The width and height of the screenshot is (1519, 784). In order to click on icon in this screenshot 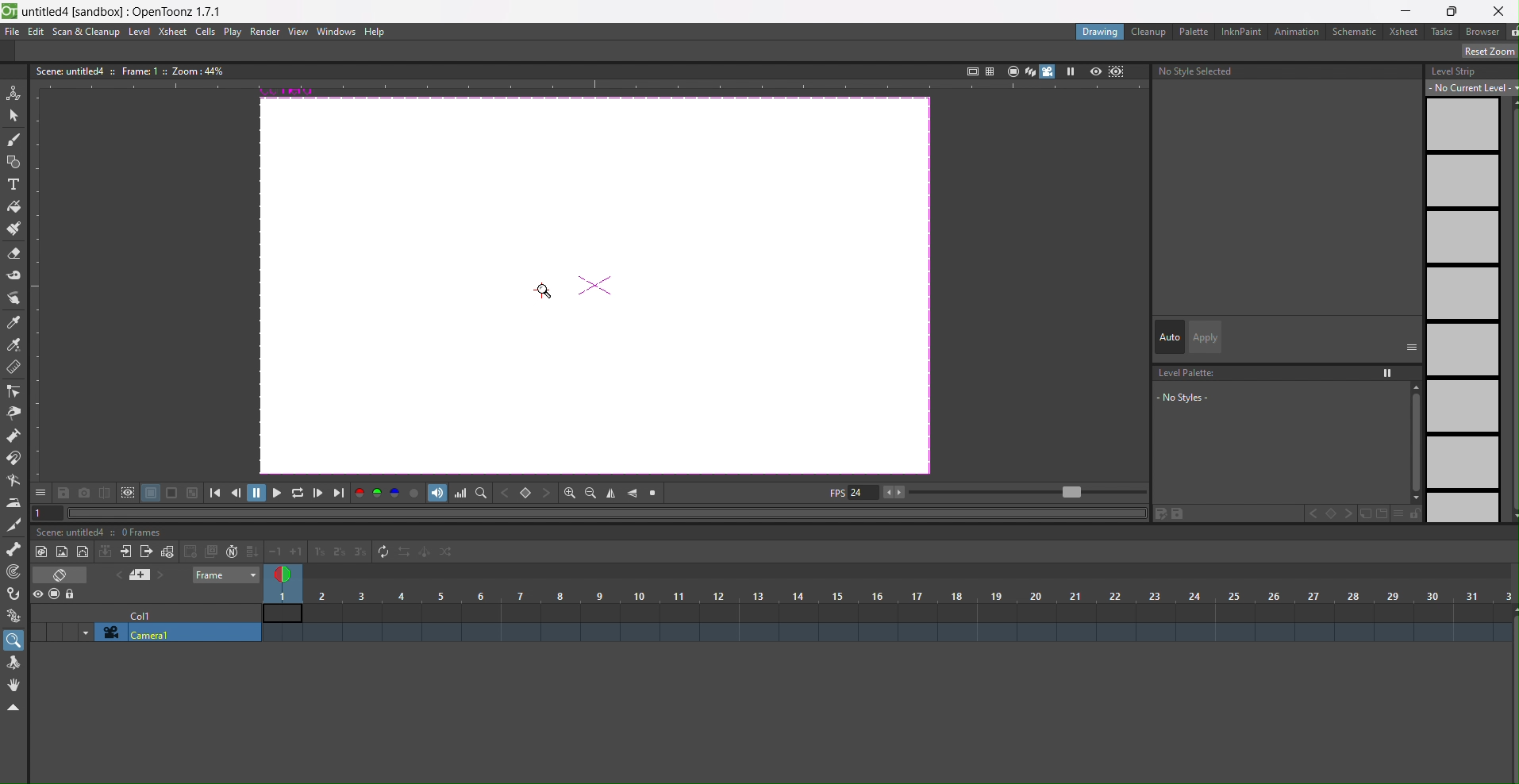, I will do `click(141, 576)`.